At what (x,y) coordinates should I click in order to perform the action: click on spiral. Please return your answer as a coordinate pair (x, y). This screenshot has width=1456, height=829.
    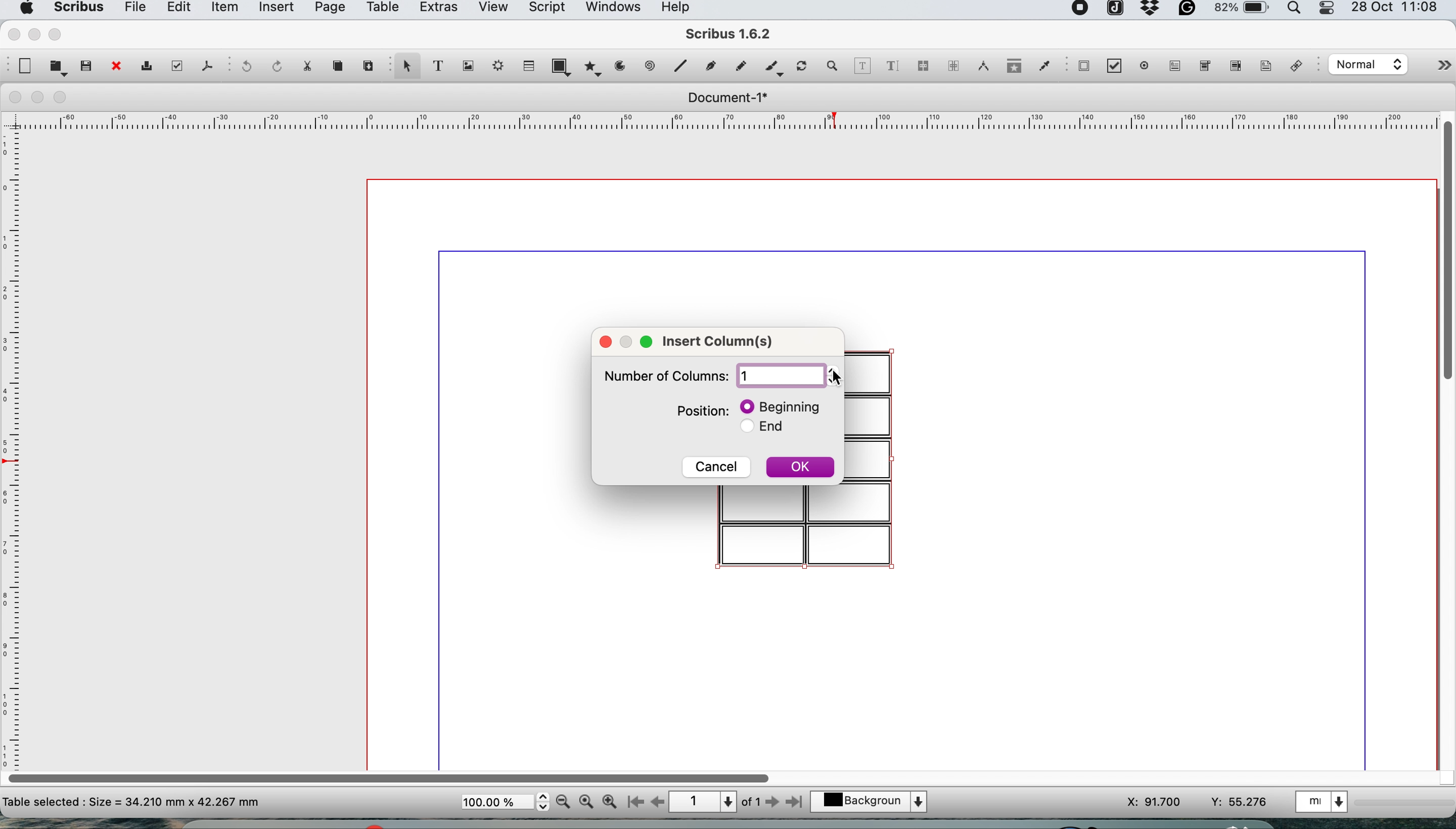
    Looking at the image, I should click on (651, 65).